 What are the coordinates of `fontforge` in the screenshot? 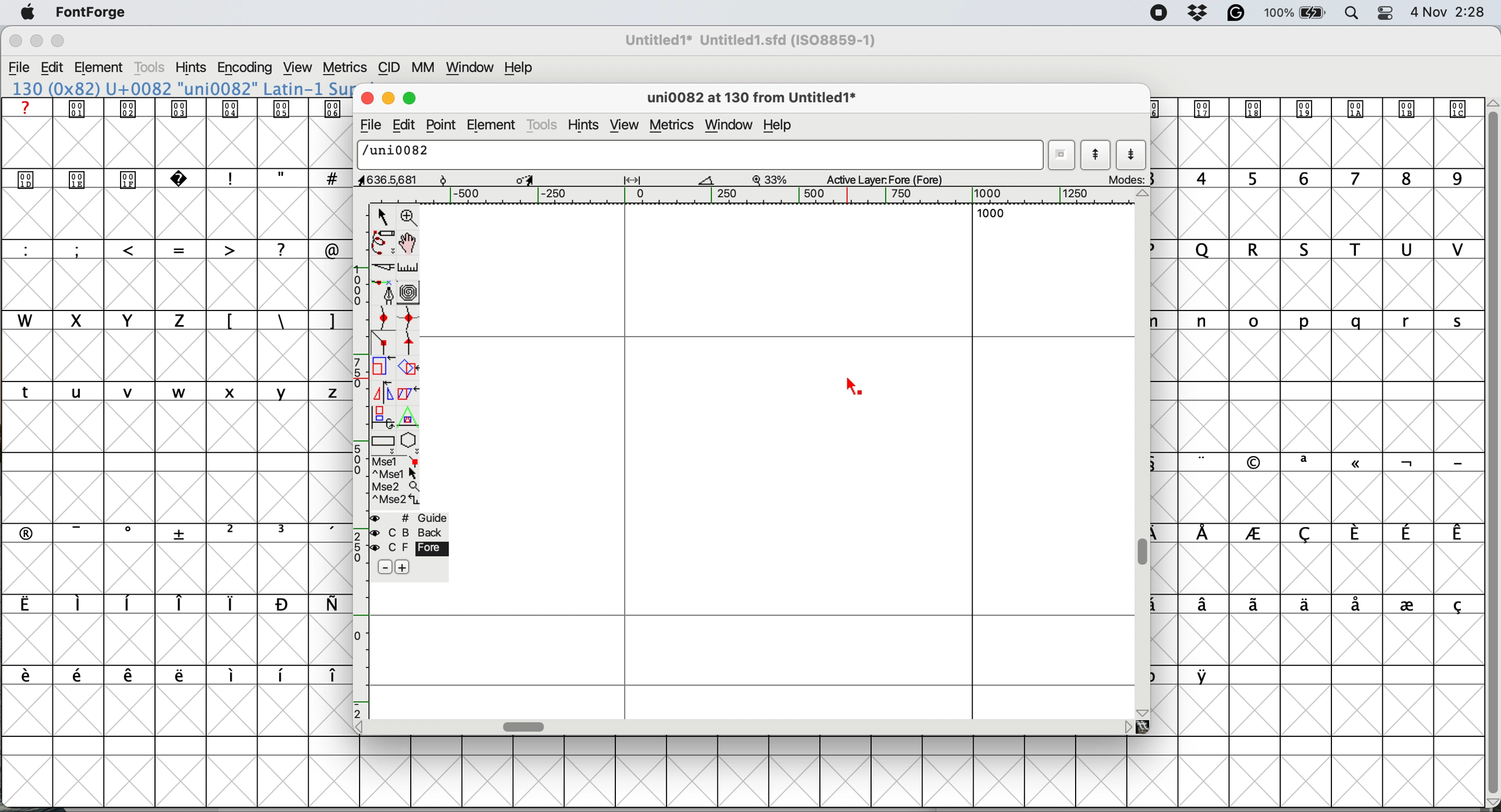 It's located at (92, 12).